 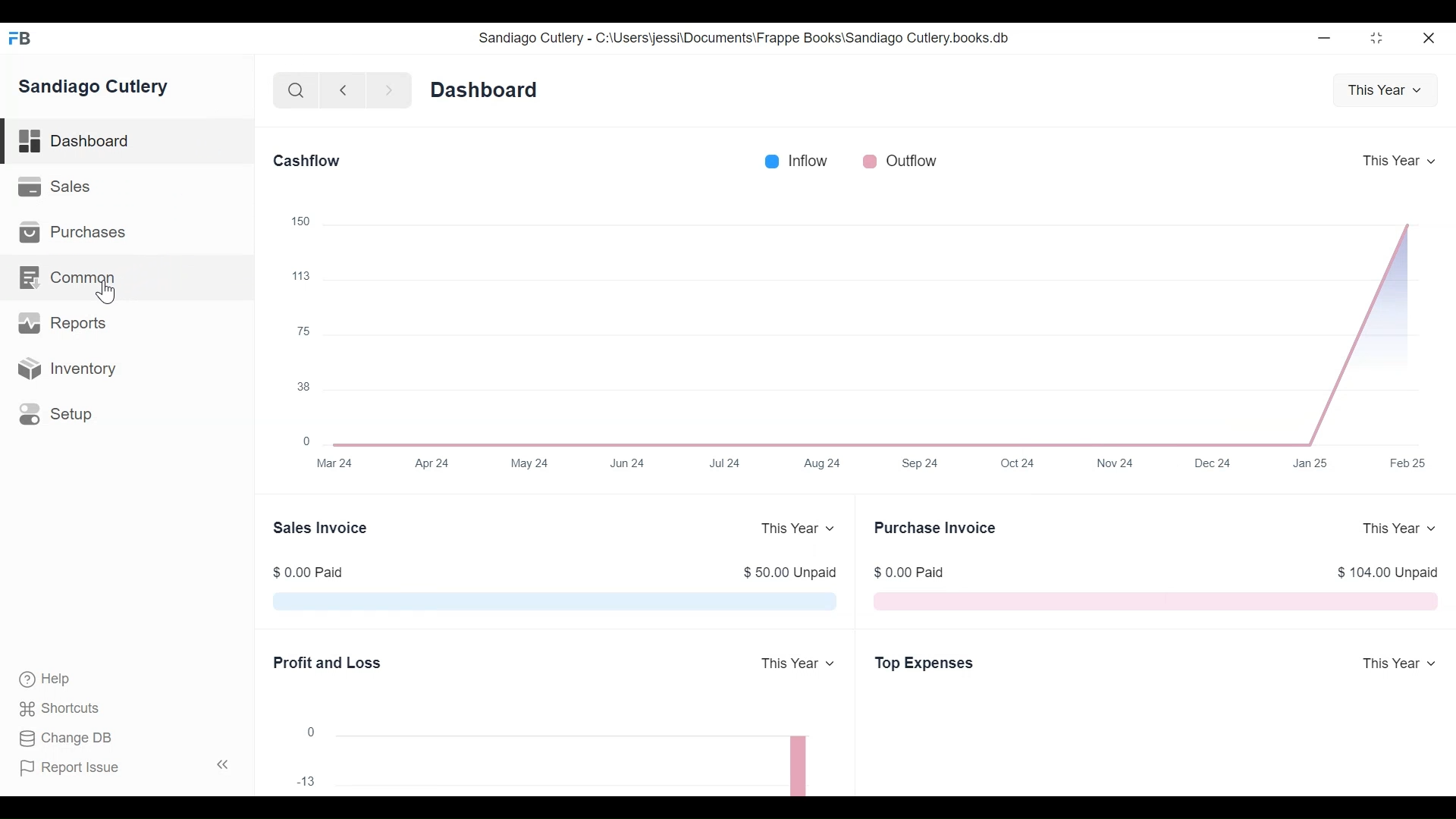 What do you see at coordinates (333, 464) in the screenshot?
I see `Mar 24` at bounding box center [333, 464].